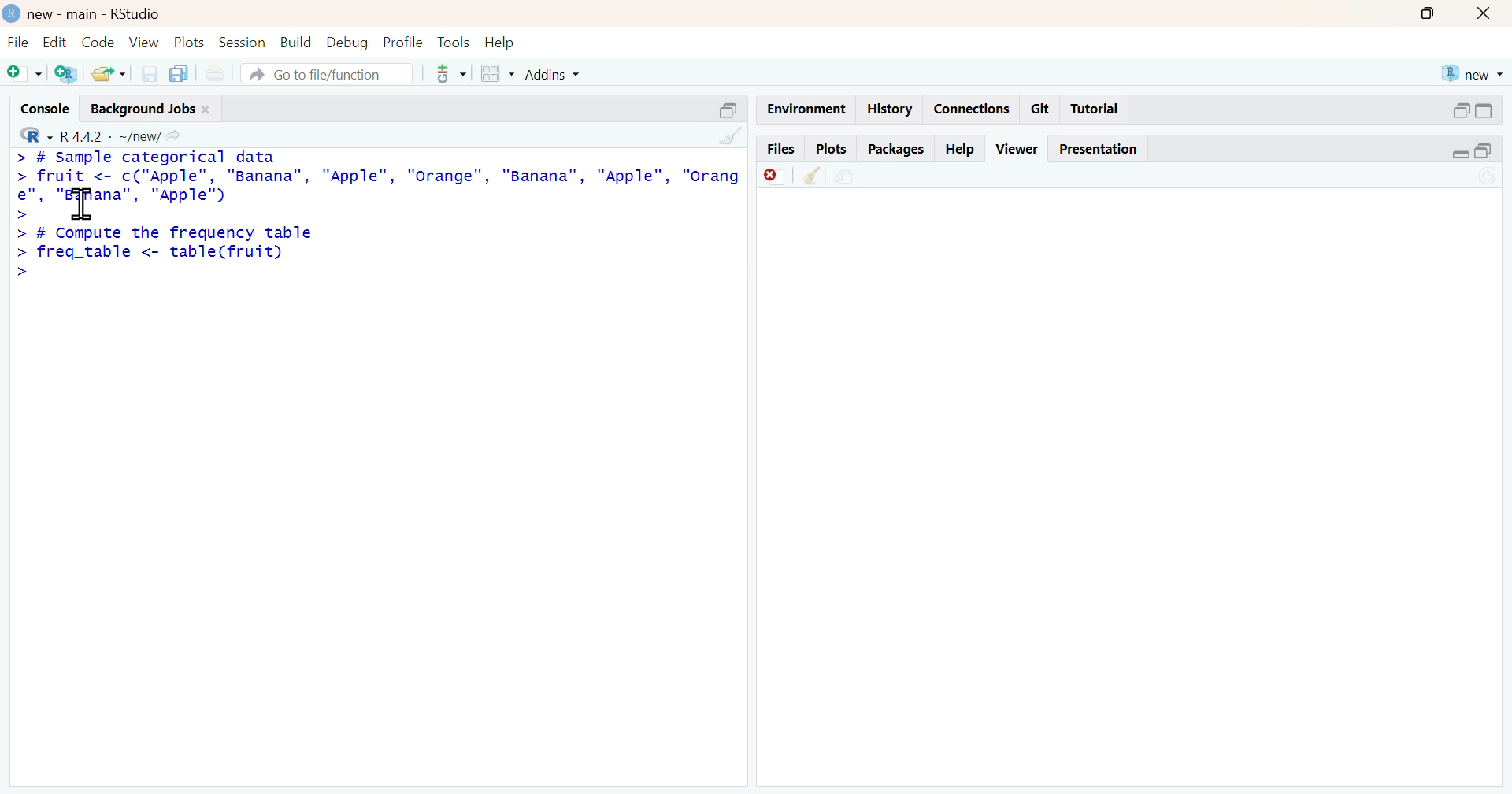  I want to click on code tools, so click(450, 74).